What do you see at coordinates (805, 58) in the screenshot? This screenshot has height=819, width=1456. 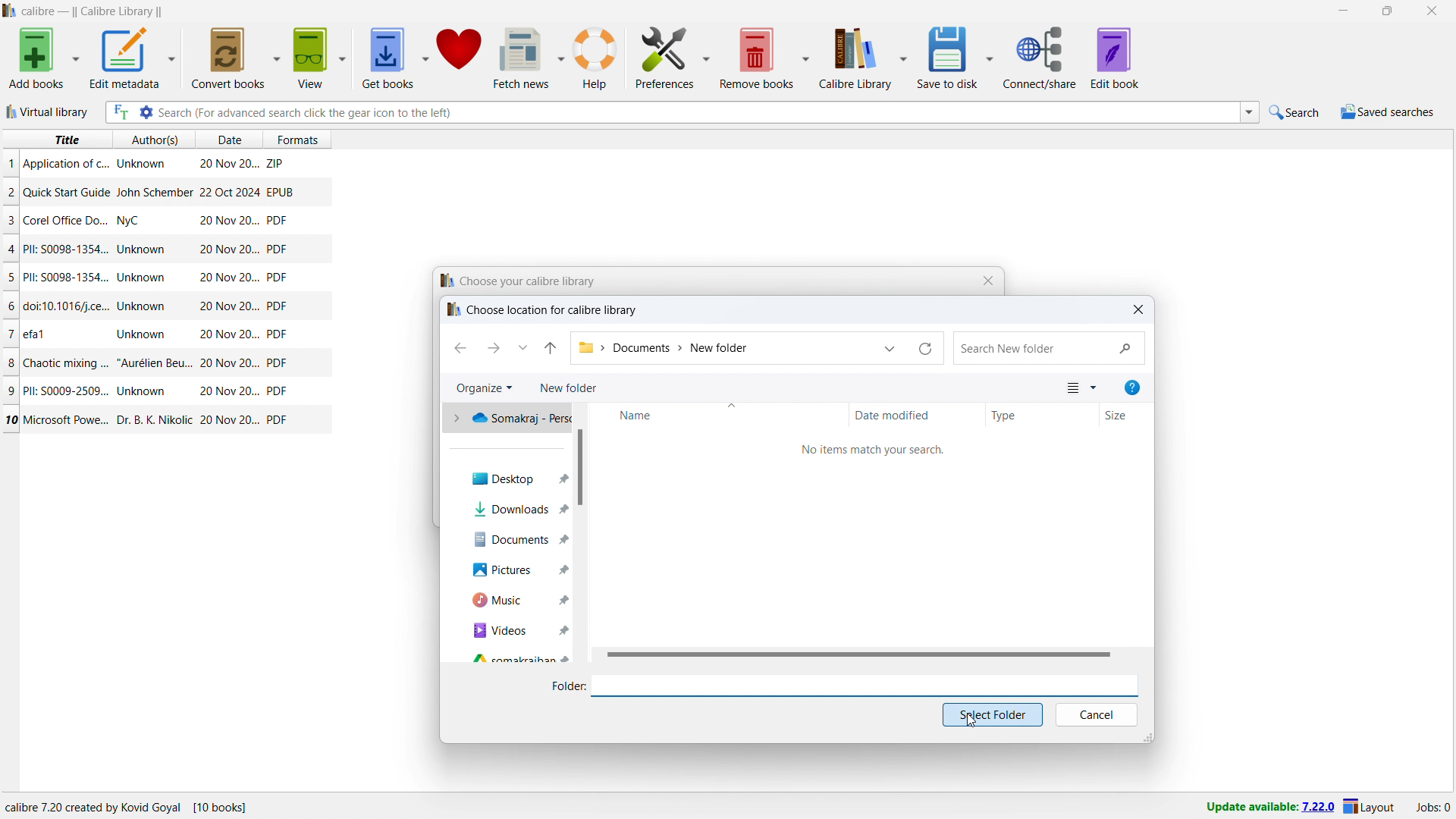 I see `remove books options` at bounding box center [805, 58].